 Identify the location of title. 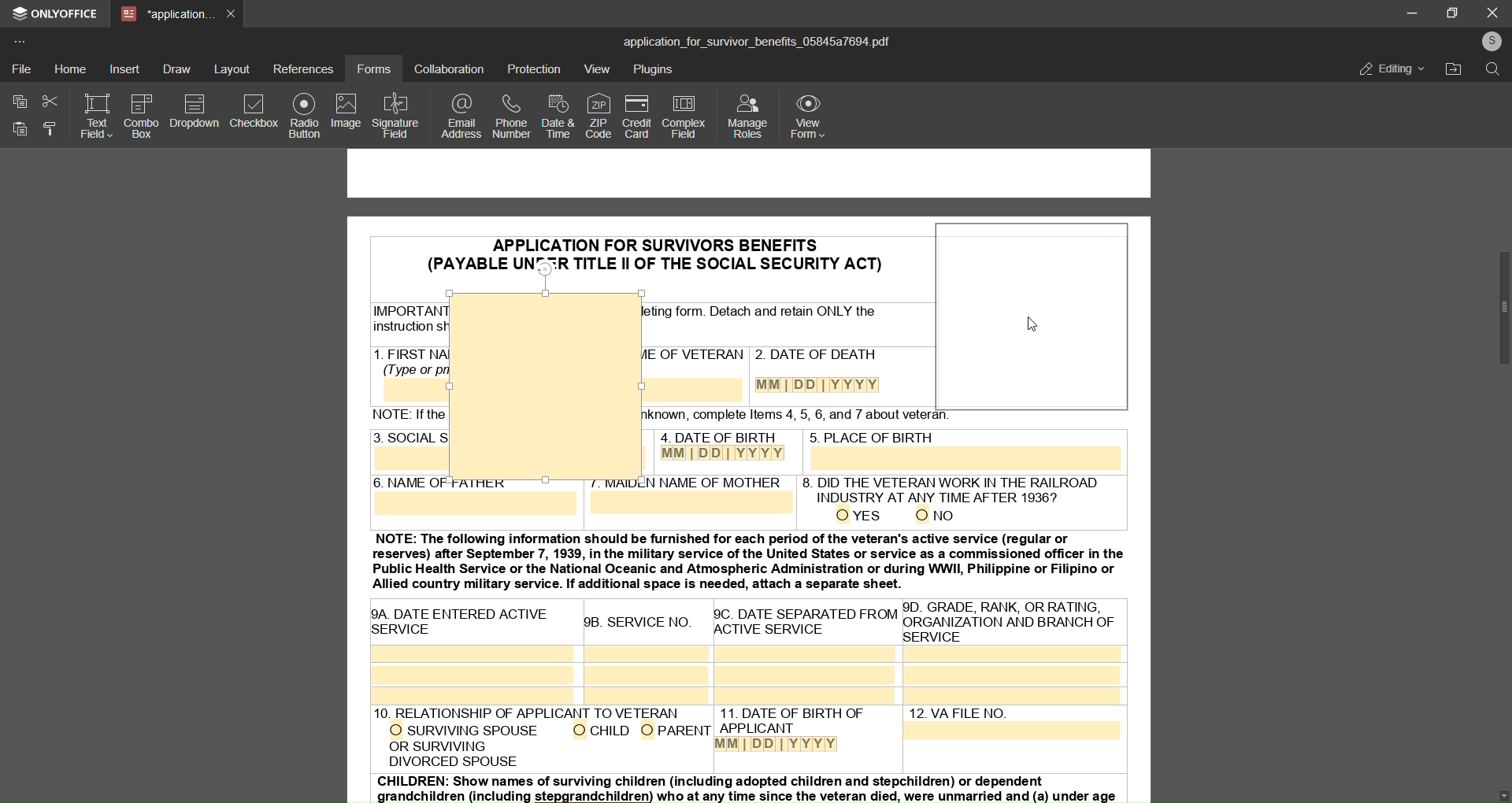
(756, 40).